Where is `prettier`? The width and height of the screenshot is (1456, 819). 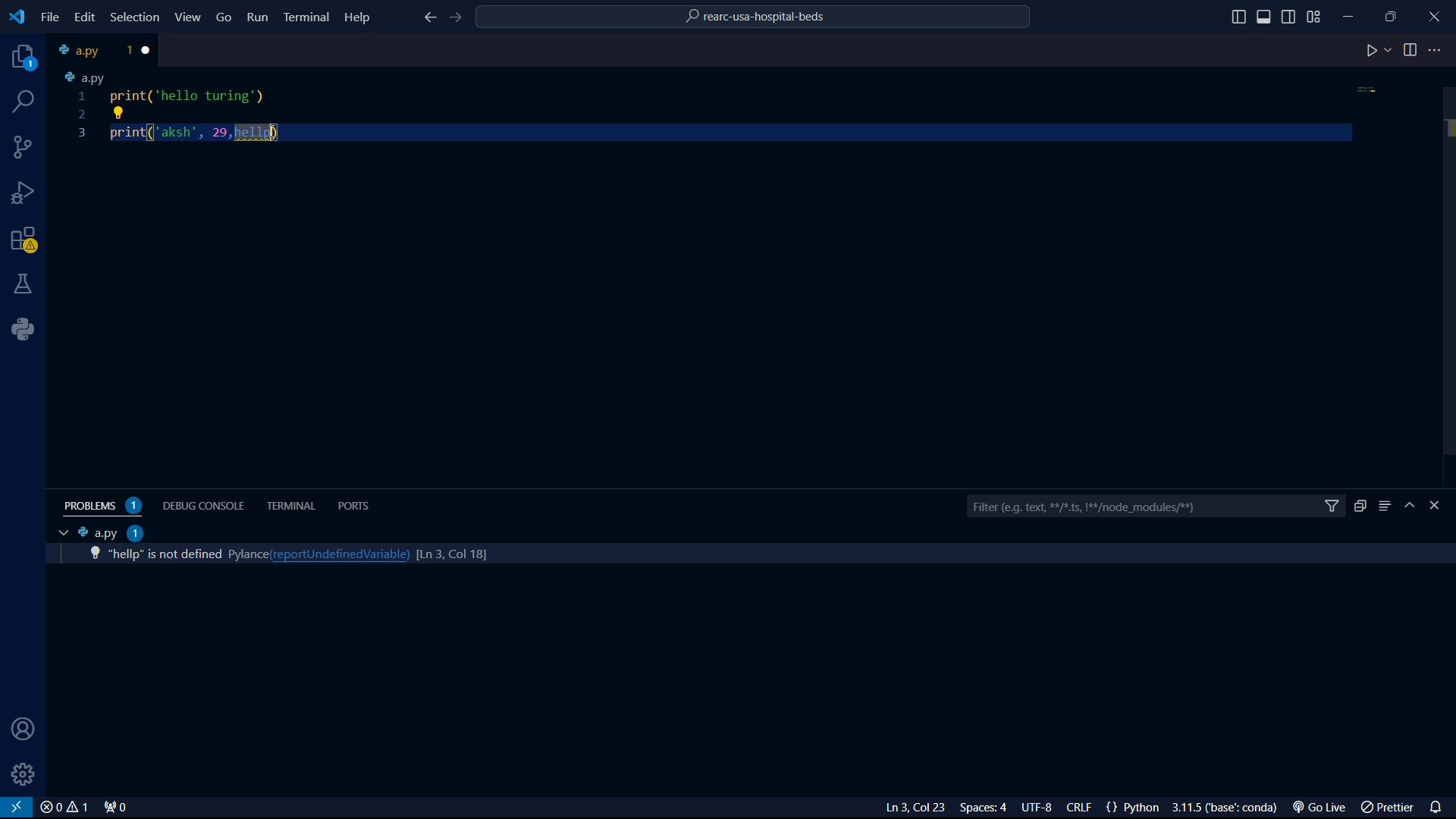 prettier is located at coordinates (1389, 808).